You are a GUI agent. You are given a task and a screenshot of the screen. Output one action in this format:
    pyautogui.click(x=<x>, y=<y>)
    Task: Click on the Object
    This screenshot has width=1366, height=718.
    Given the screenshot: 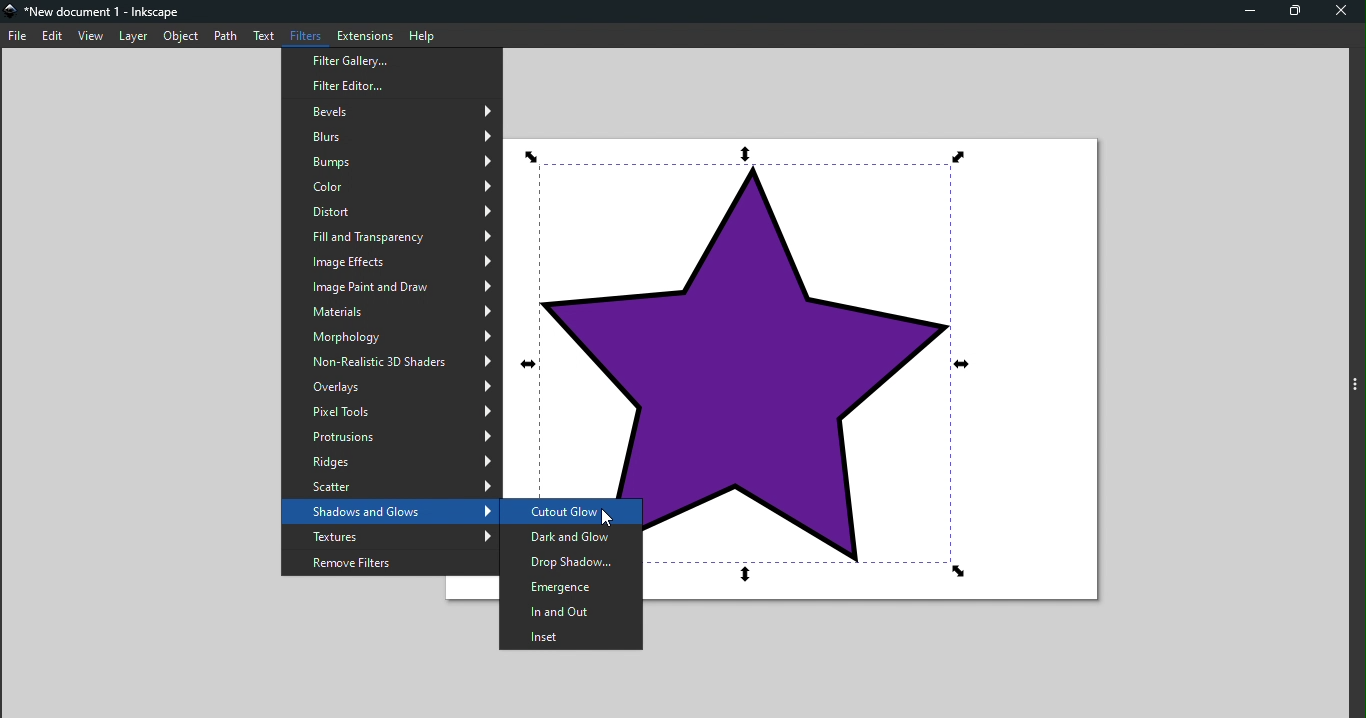 What is the action you would take?
    pyautogui.click(x=181, y=36)
    